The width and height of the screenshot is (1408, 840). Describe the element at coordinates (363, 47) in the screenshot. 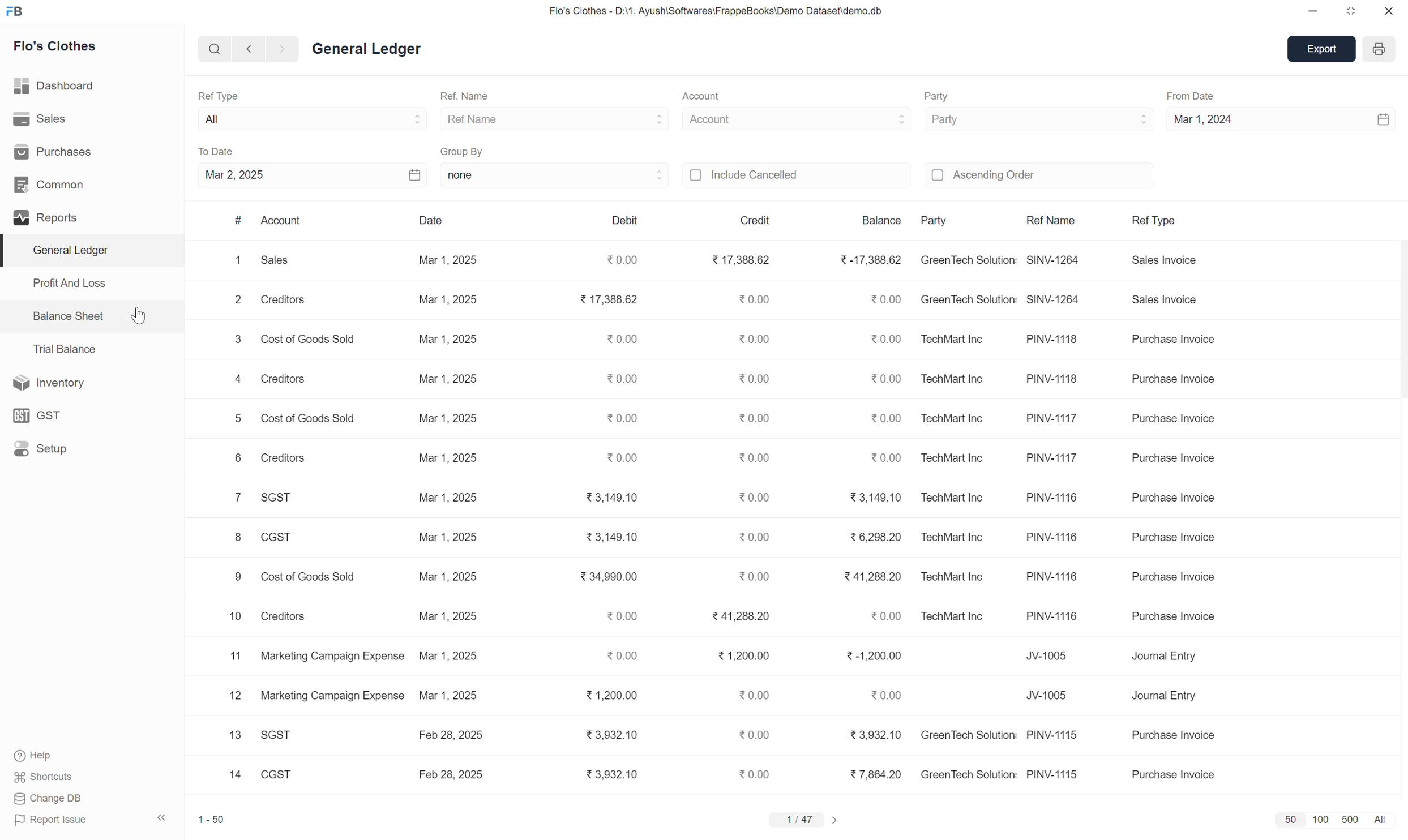

I see `General ledger` at that location.